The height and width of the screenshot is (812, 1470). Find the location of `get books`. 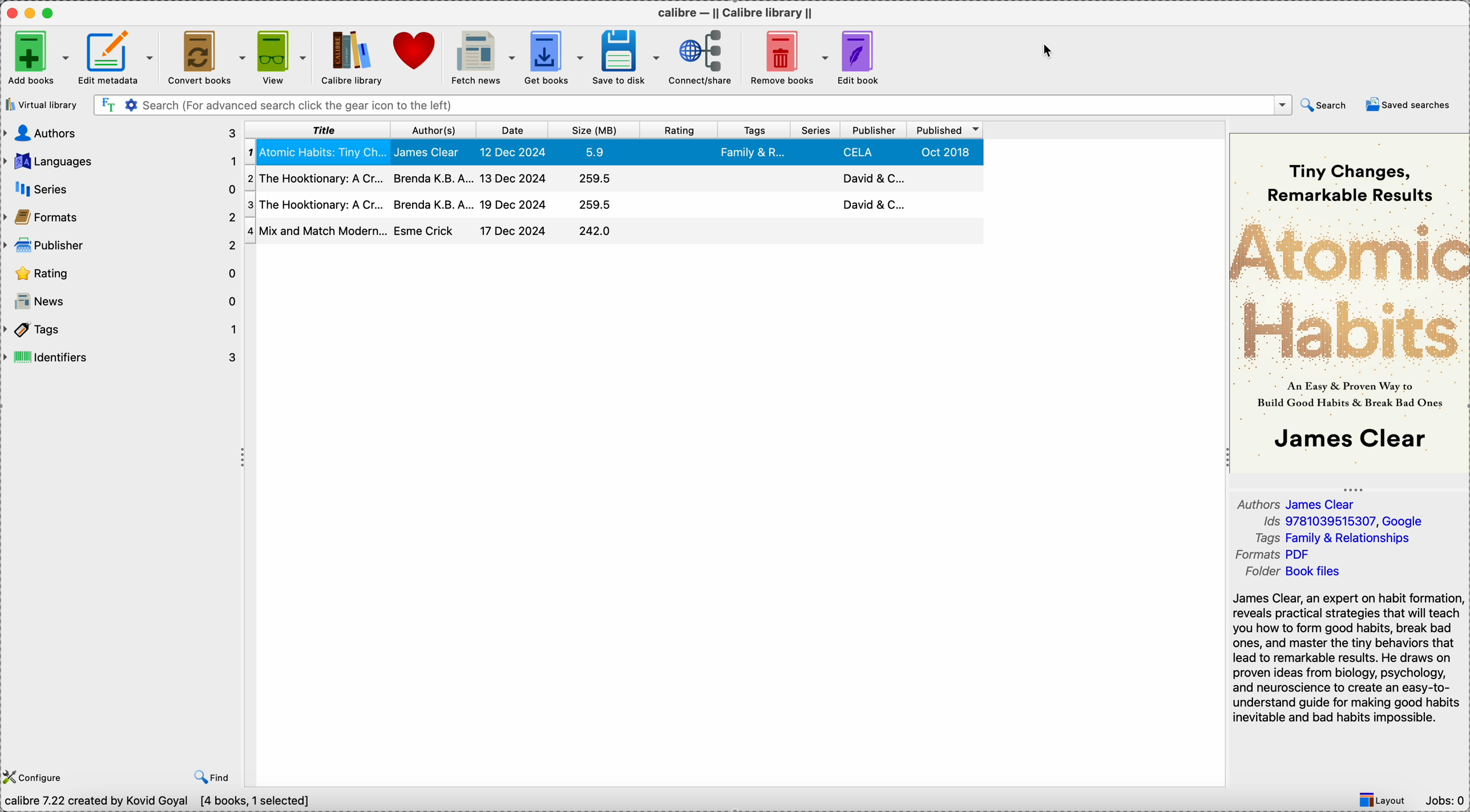

get books is located at coordinates (555, 56).